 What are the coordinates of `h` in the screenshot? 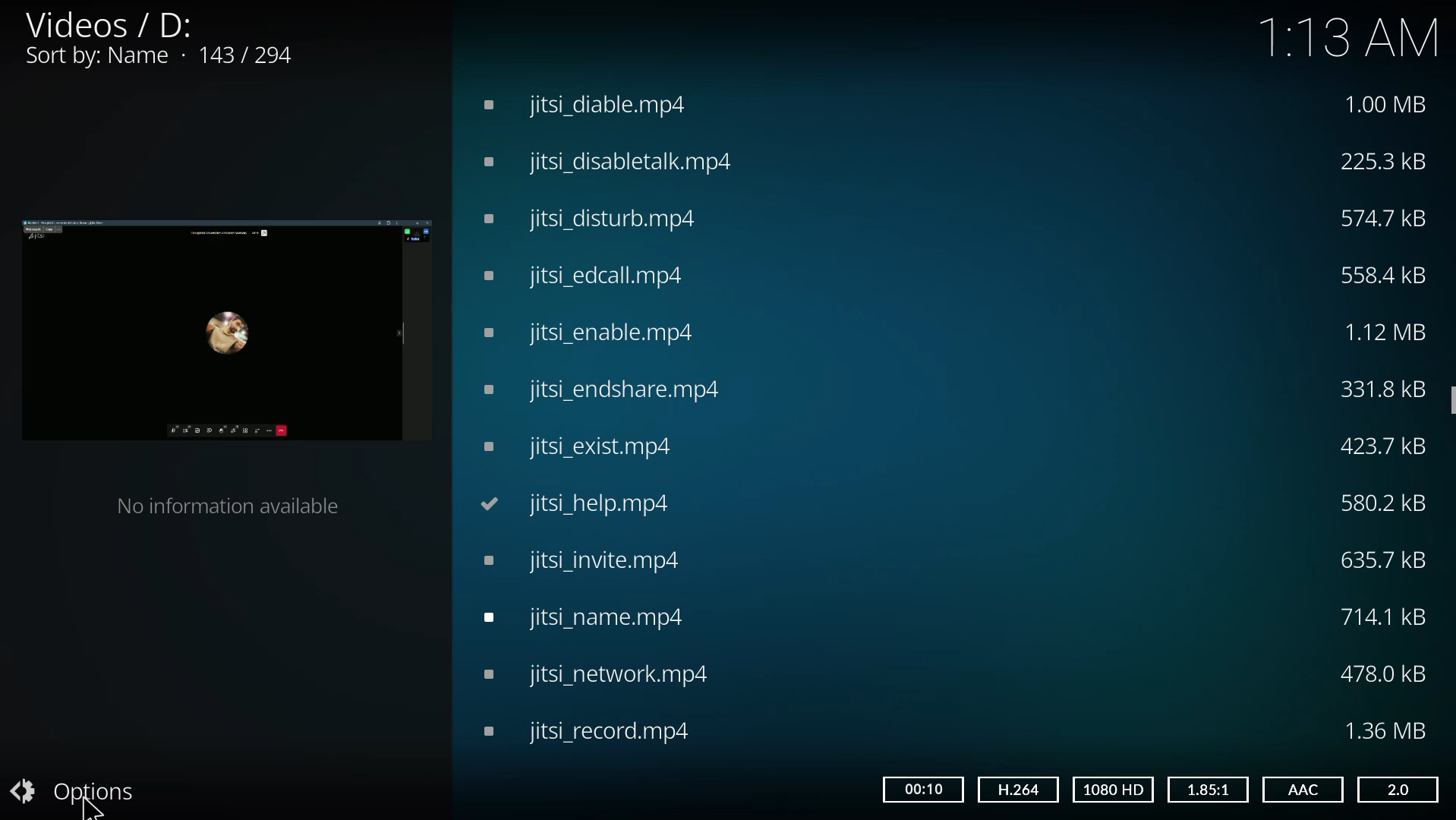 It's located at (1015, 790).